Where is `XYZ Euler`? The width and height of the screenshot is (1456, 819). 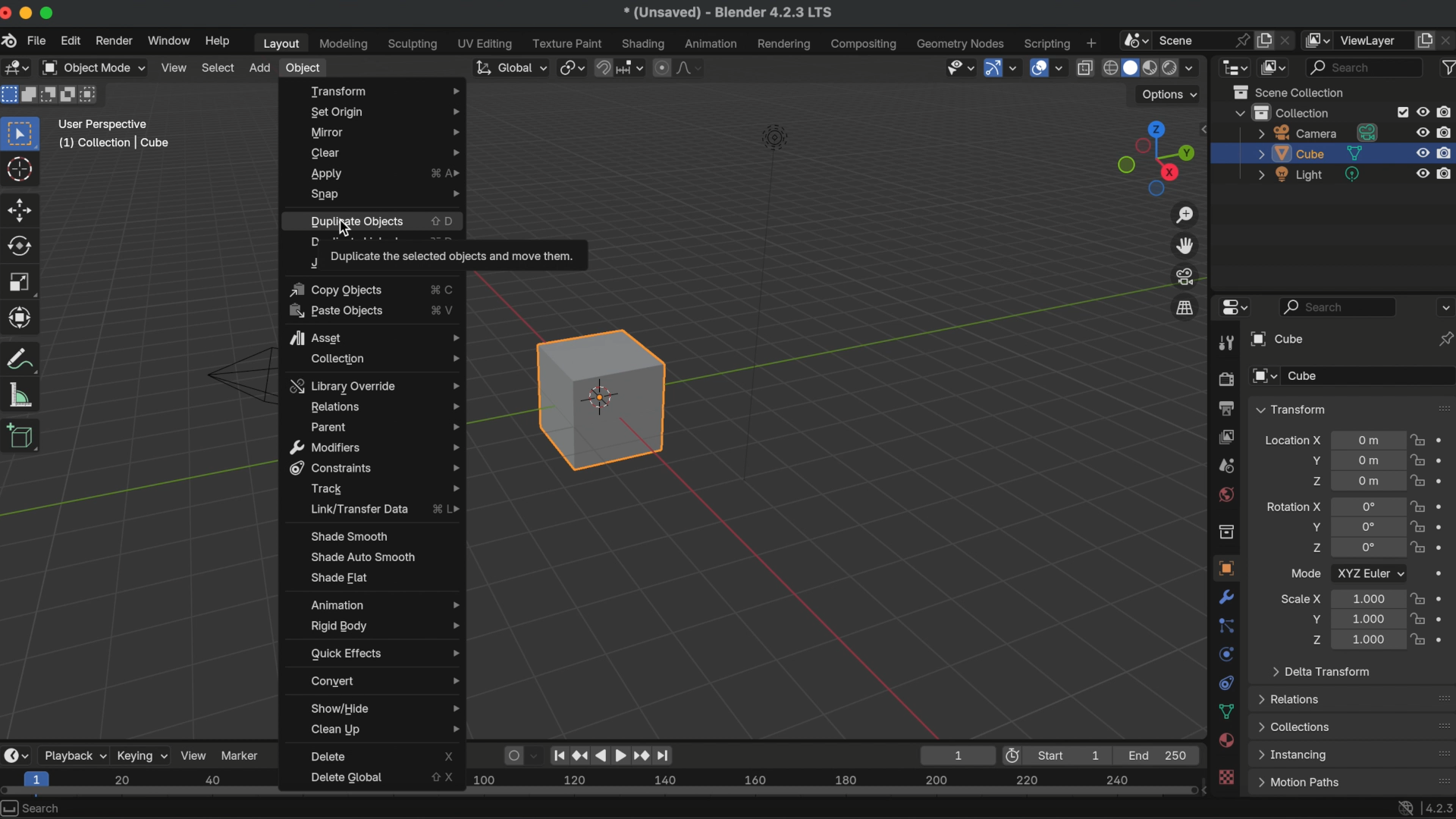
XYZ Euler is located at coordinates (1370, 573).